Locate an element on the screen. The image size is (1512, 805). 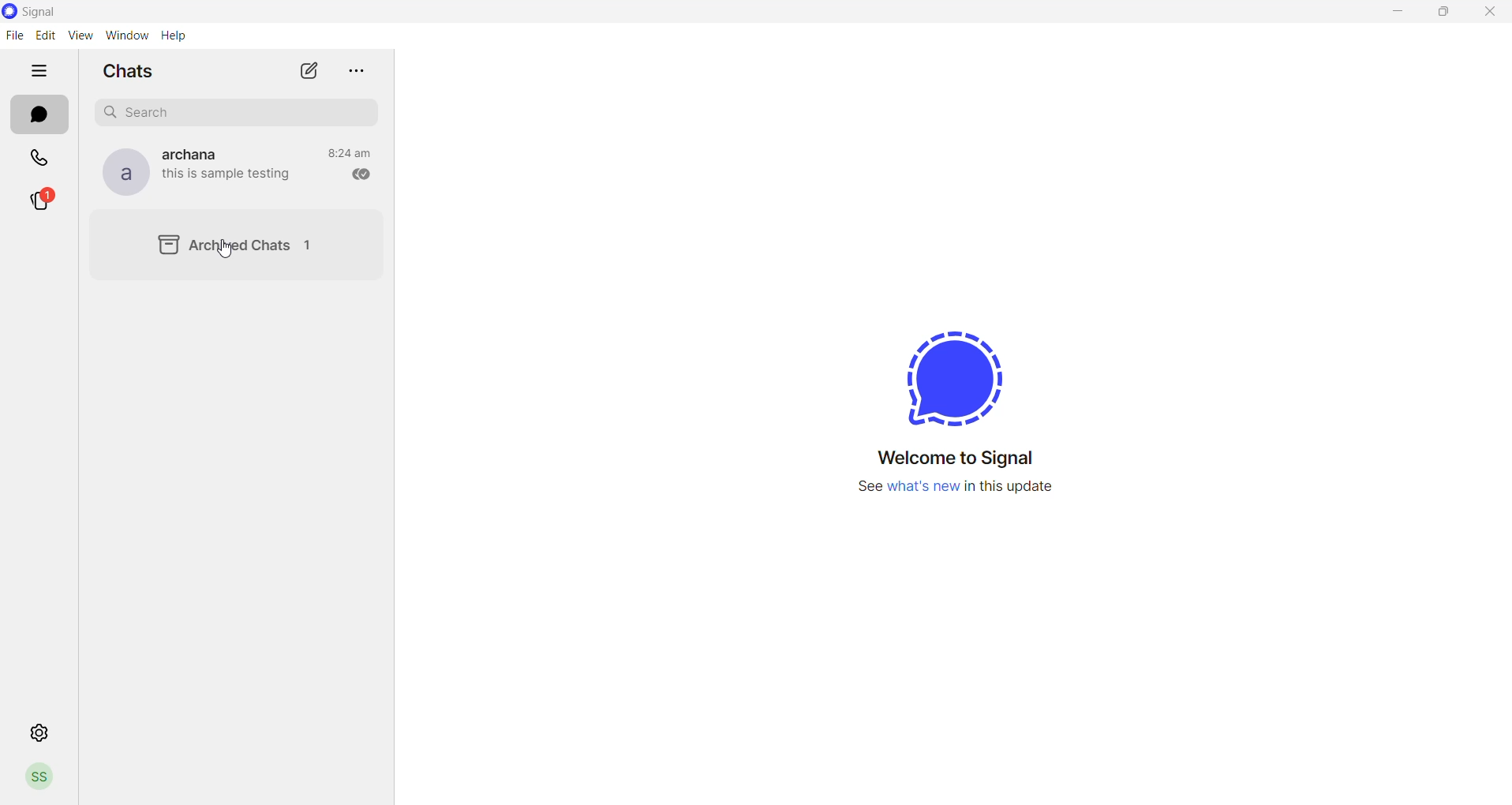
archived chats folder is located at coordinates (237, 243).